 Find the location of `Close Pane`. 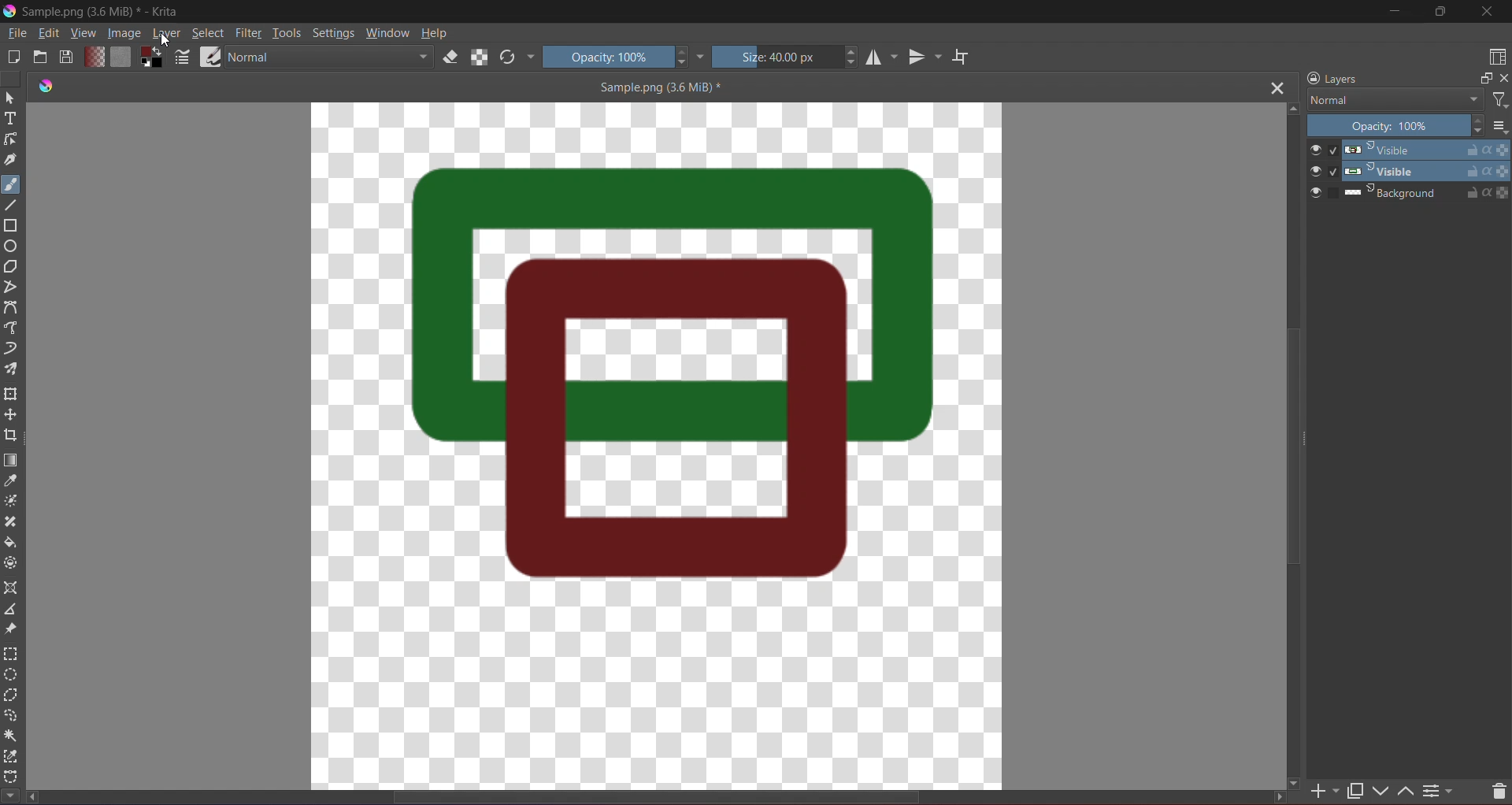

Close Pane is located at coordinates (1507, 82).